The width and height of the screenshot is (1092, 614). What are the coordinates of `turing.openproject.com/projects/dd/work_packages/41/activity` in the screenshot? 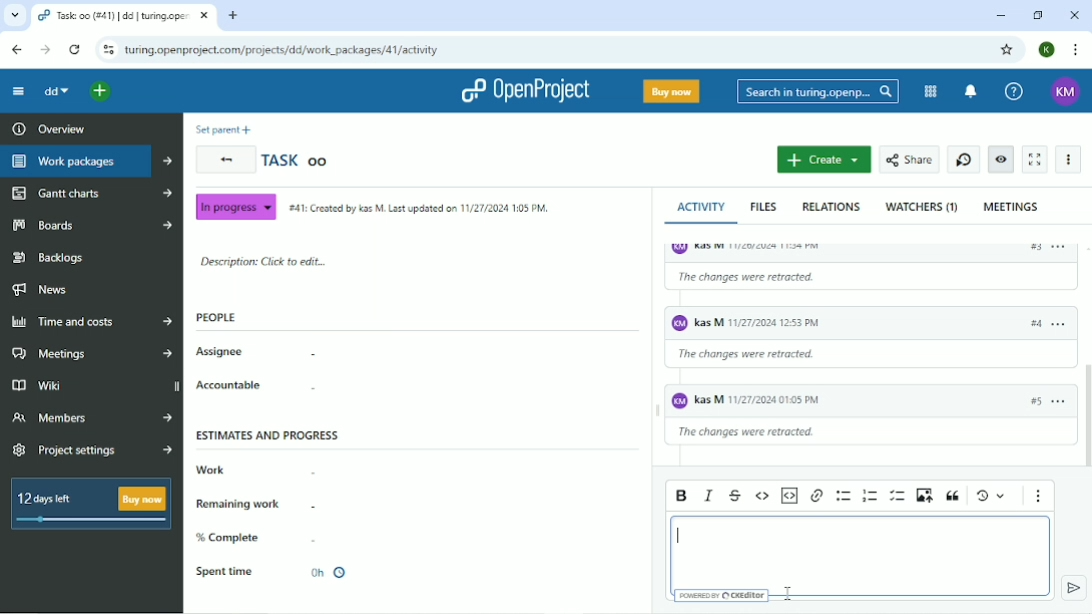 It's located at (281, 51).